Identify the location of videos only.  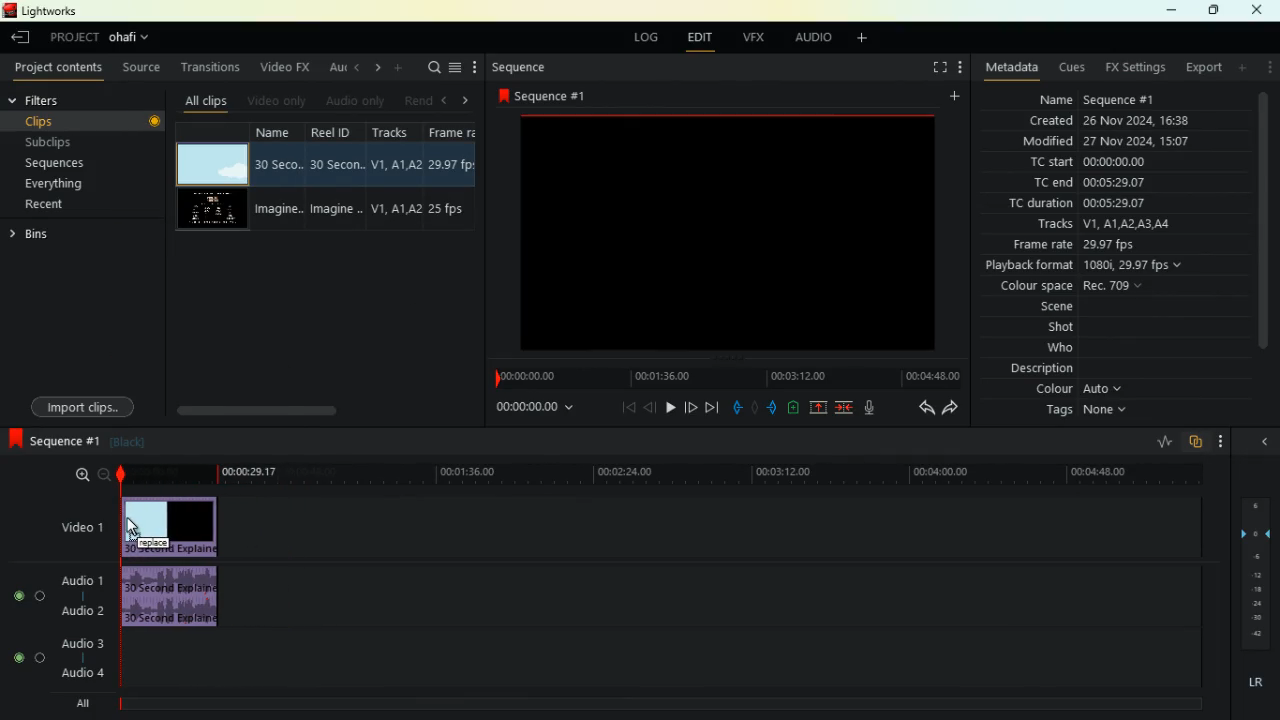
(279, 102).